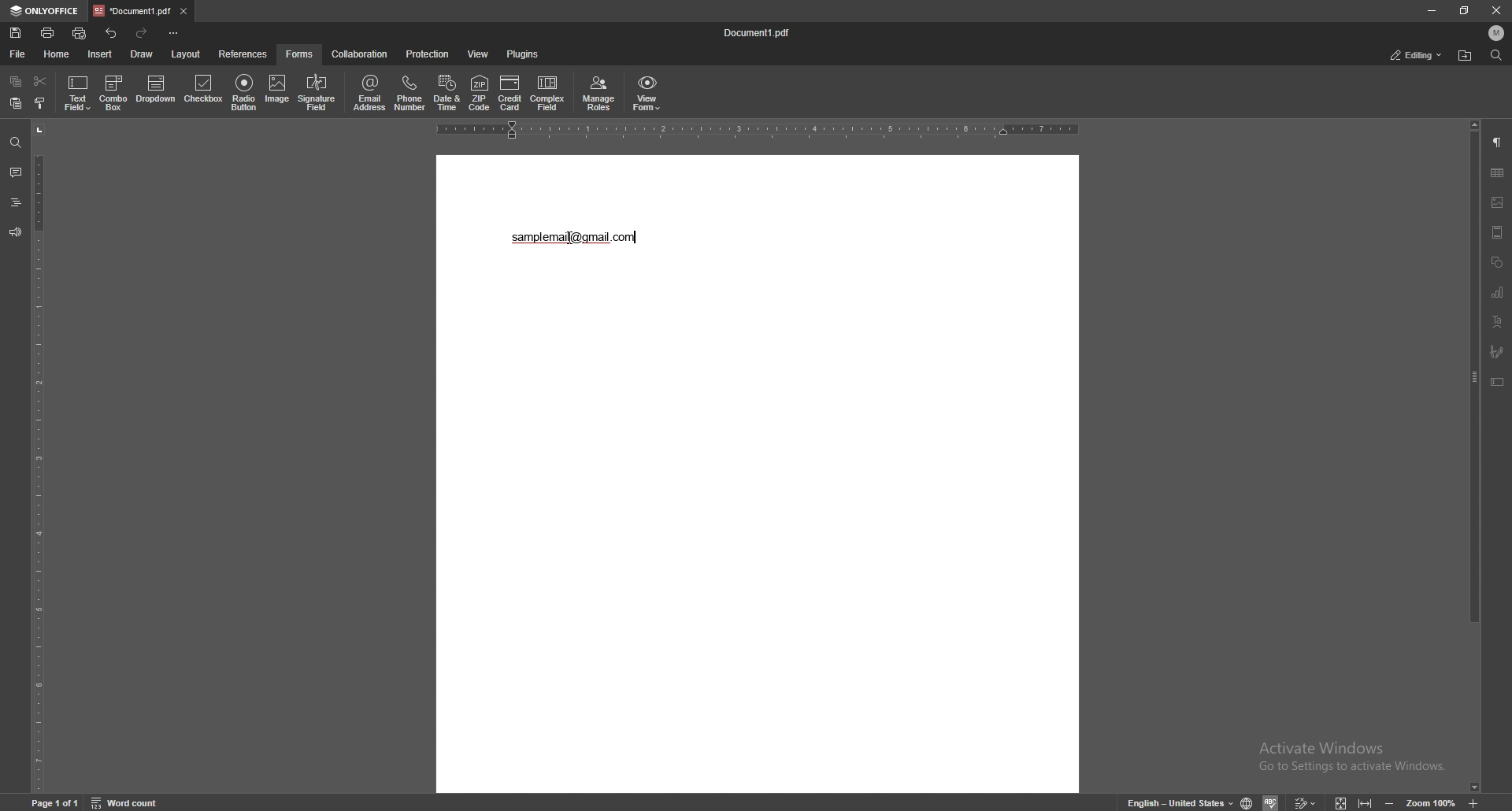 This screenshot has height=811, width=1512. Describe the element at coordinates (125, 802) in the screenshot. I see `word count` at that location.